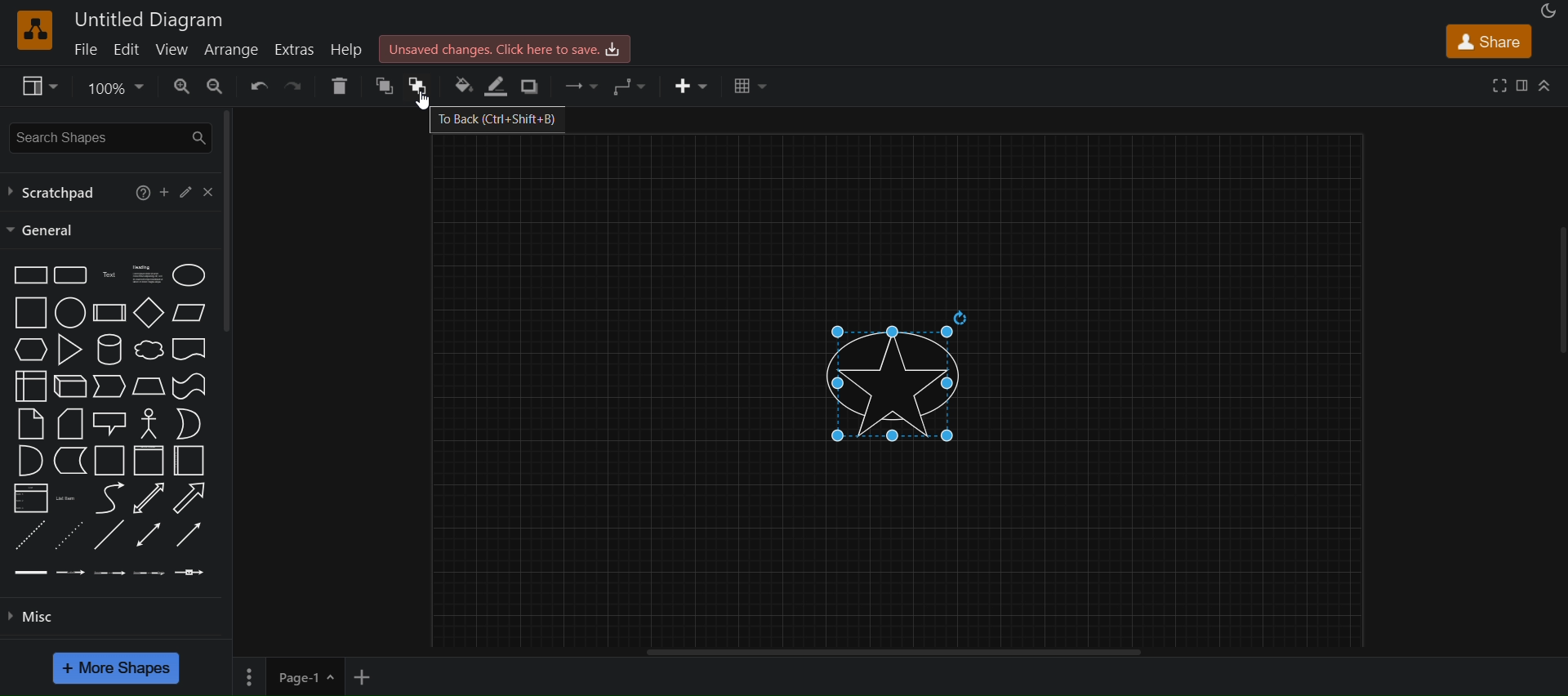 This screenshot has width=1568, height=696. Describe the element at coordinates (191, 349) in the screenshot. I see `document` at that location.